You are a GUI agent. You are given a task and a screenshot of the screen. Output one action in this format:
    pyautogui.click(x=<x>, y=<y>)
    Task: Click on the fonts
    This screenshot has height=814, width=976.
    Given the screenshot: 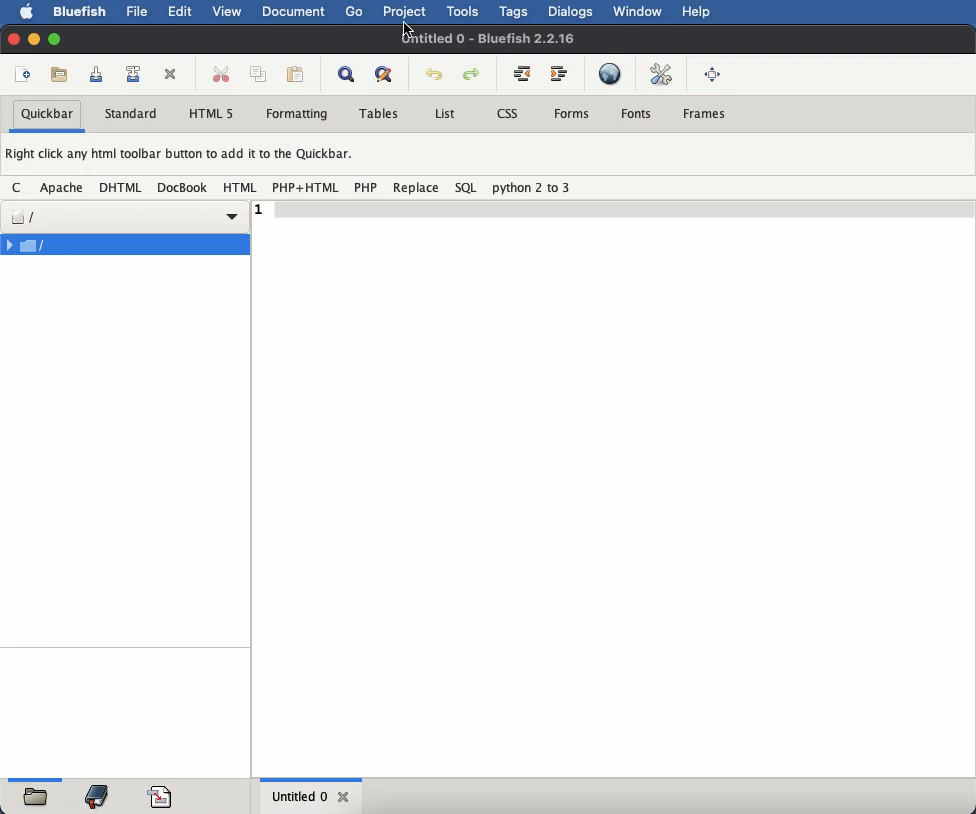 What is the action you would take?
    pyautogui.click(x=638, y=114)
    